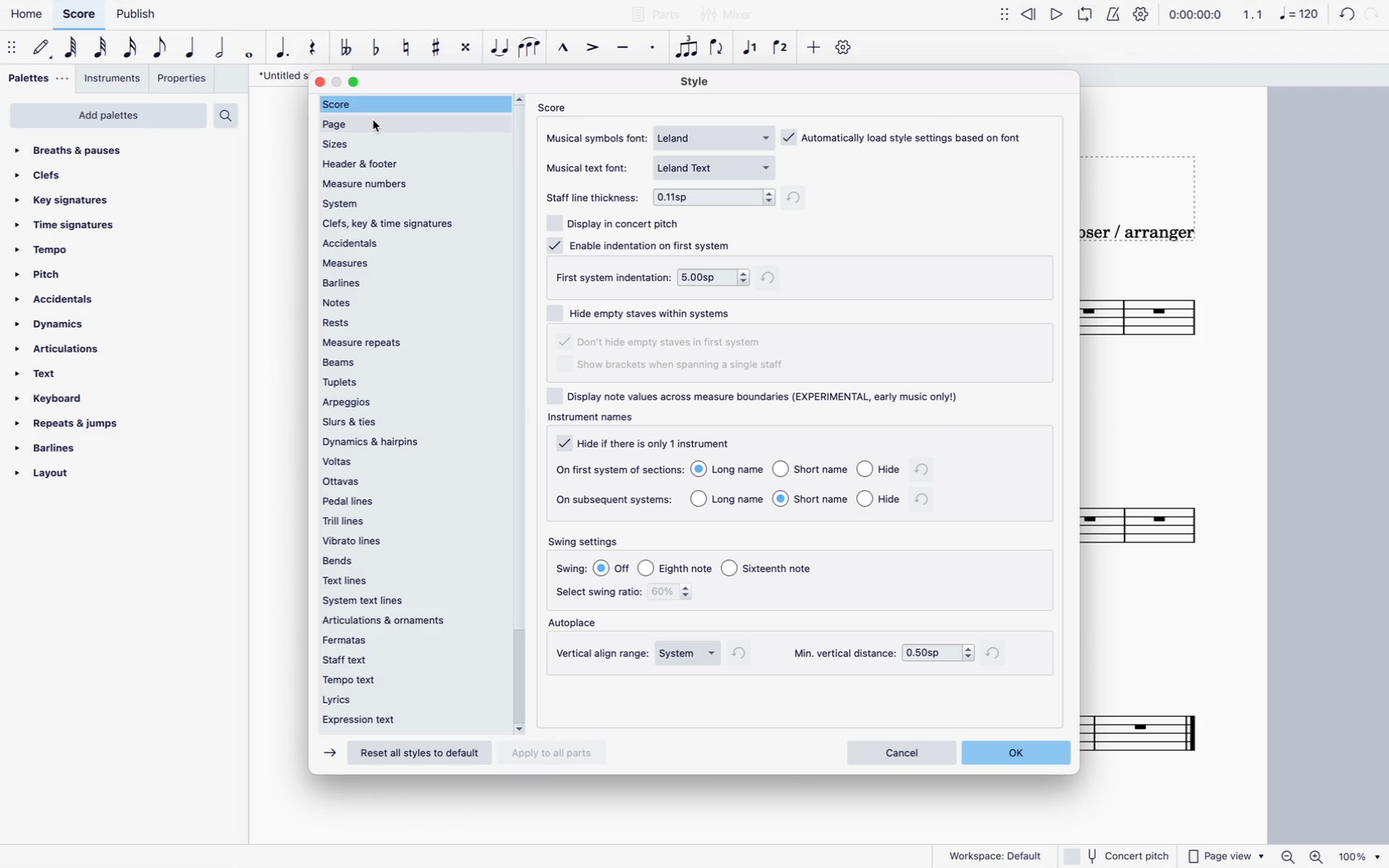 The image size is (1389, 868). I want to click on workspace, so click(998, 856).